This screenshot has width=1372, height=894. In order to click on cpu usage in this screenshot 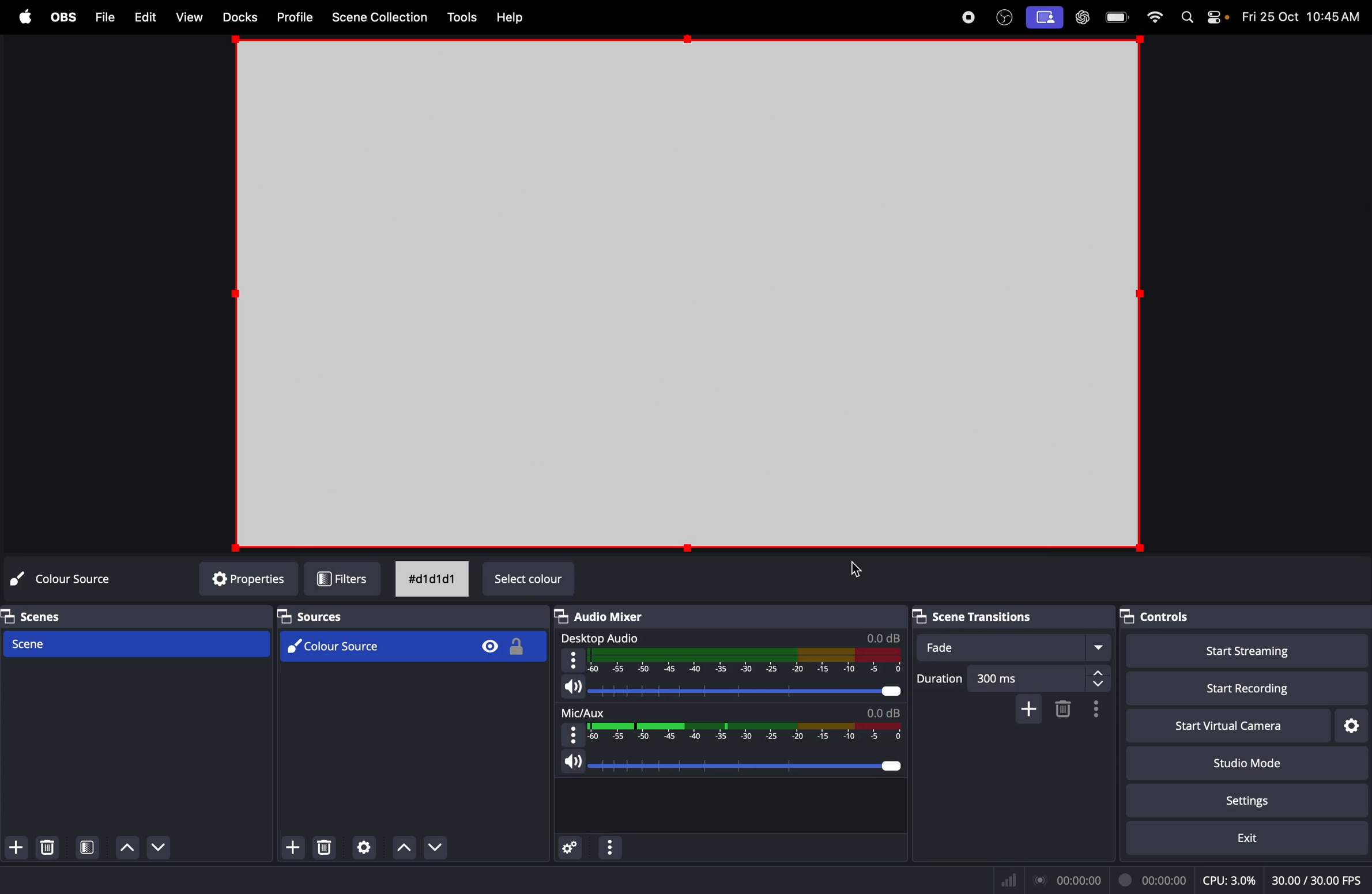, I will do `click(1232, 878)`.